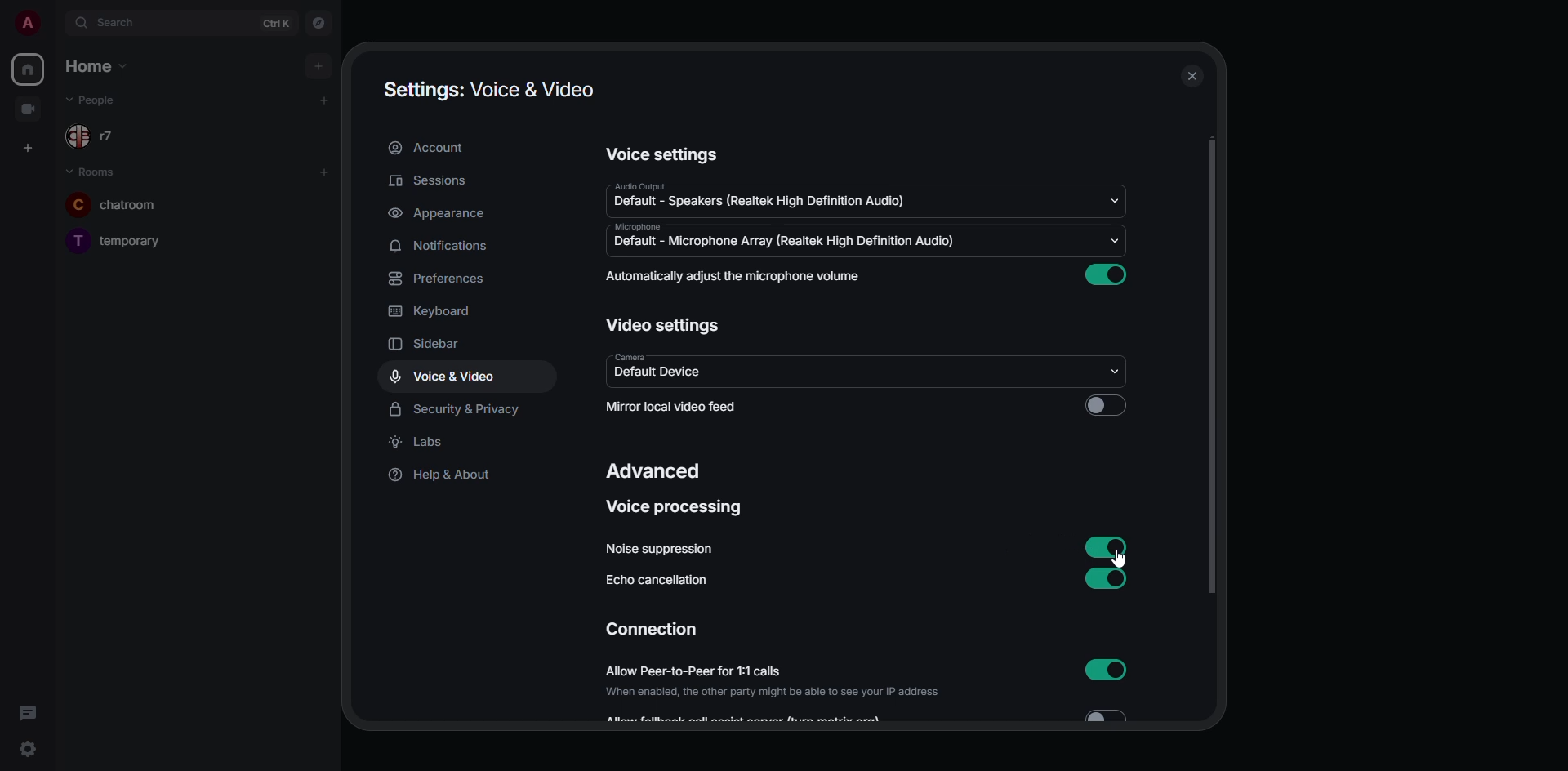 This screenshot has width=1568, height=771. I want to click on preferences, so click(437, 279).